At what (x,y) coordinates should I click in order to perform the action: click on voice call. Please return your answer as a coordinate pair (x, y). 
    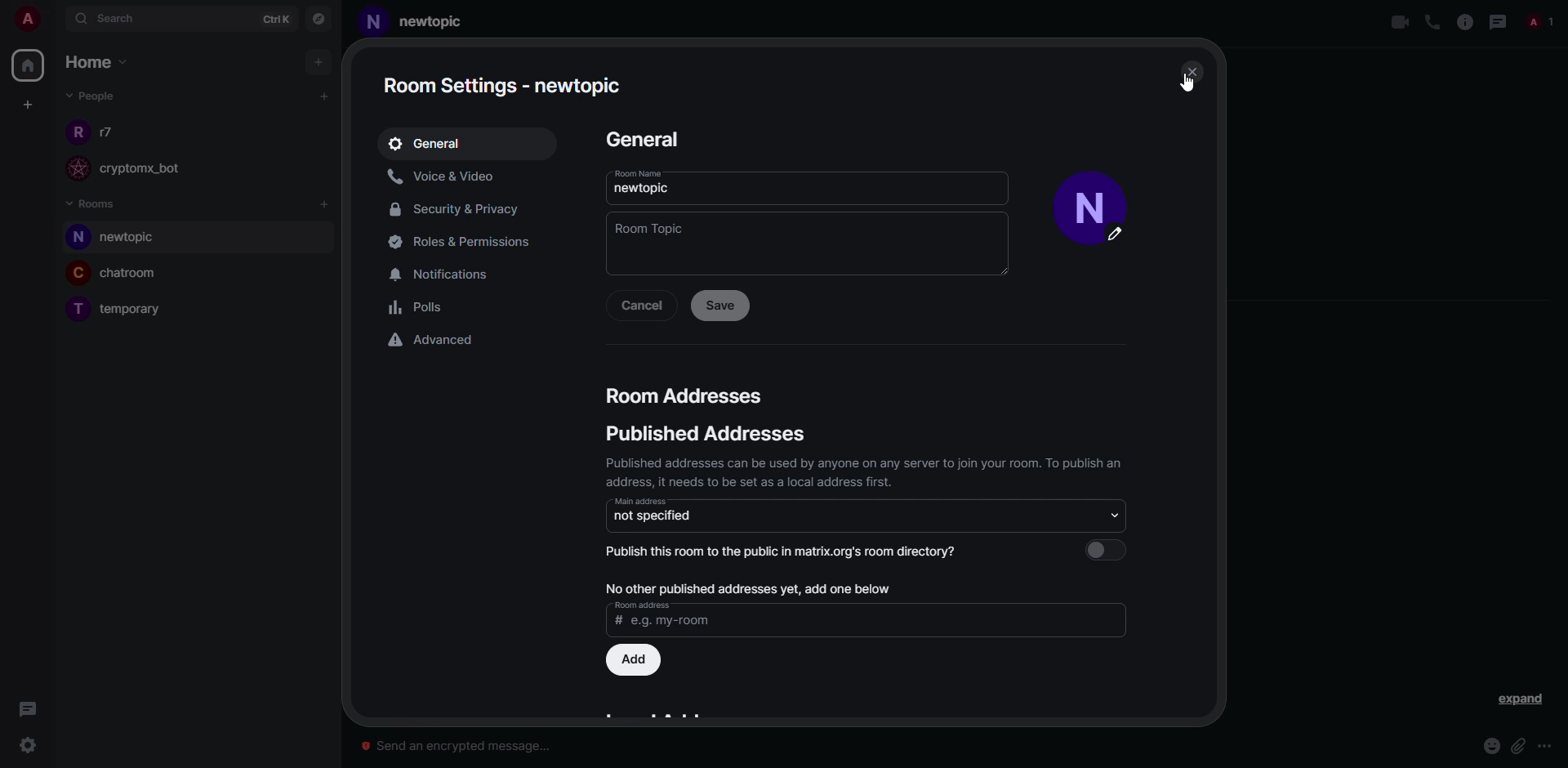
    Looking at the image, I should click on (1430, 22).